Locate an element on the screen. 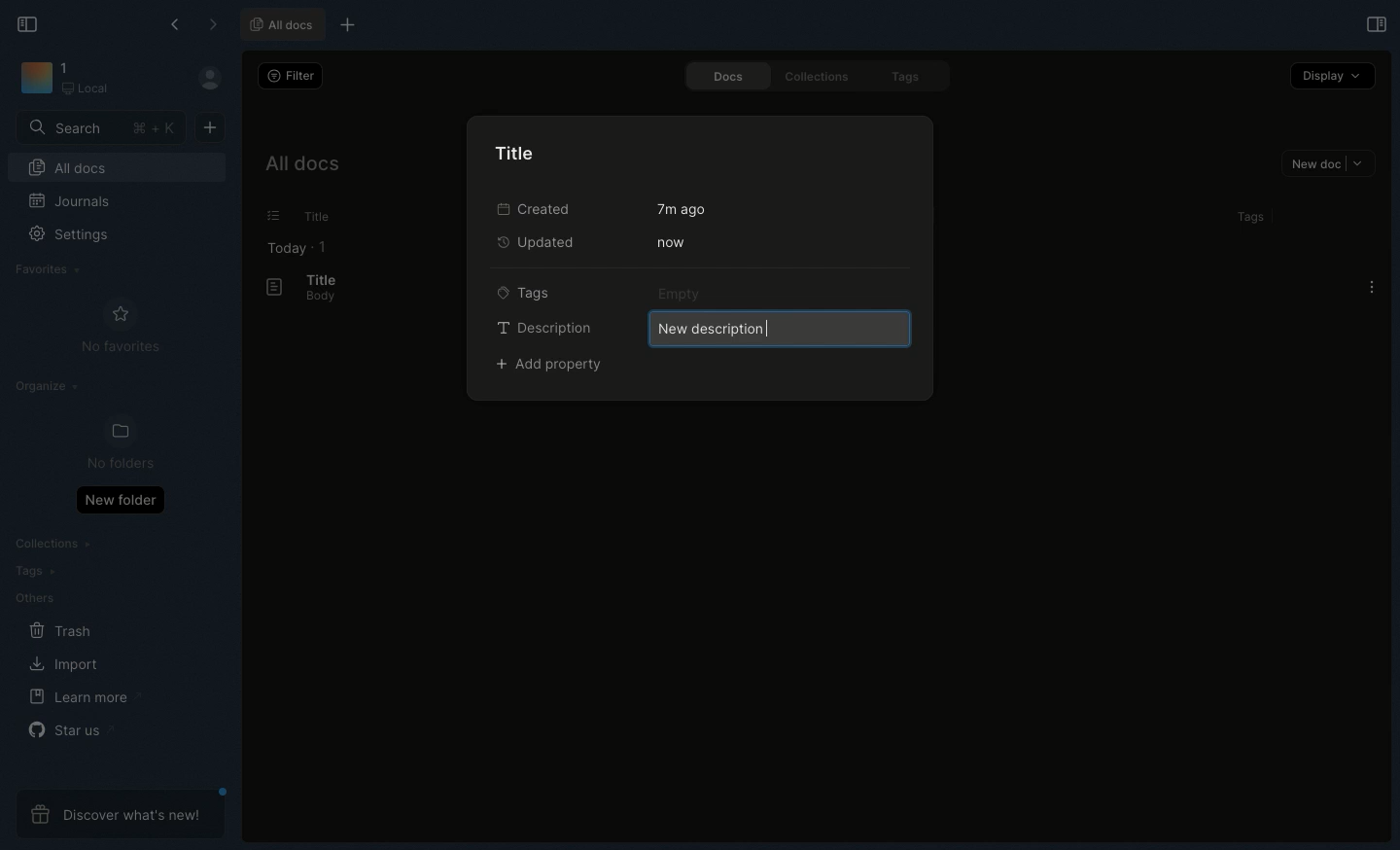 Image resolution: width=1400 pixels, height=850 pixels. New folder is located at coordinates (120, 499).